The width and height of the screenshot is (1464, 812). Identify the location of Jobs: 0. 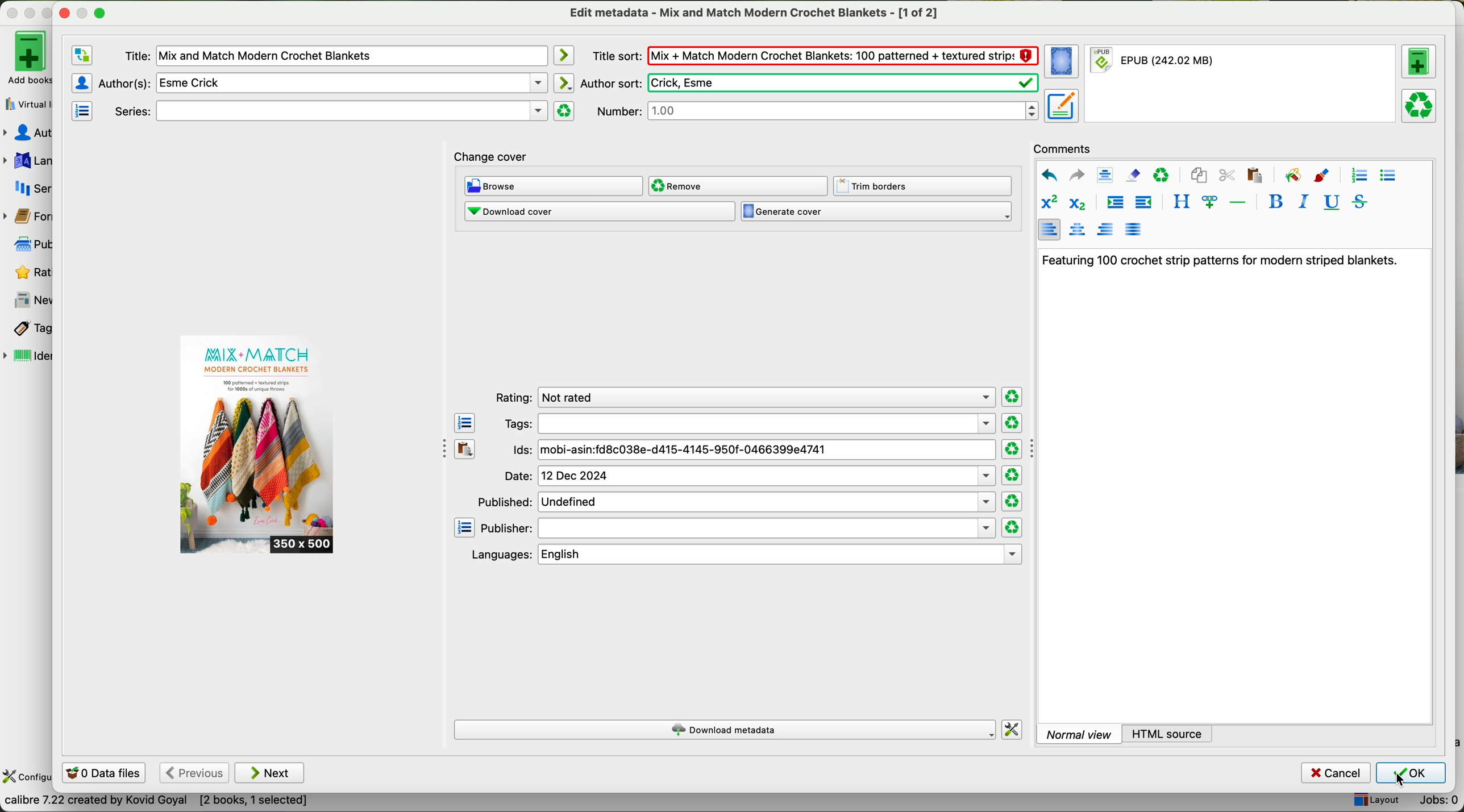
(1434, 802).